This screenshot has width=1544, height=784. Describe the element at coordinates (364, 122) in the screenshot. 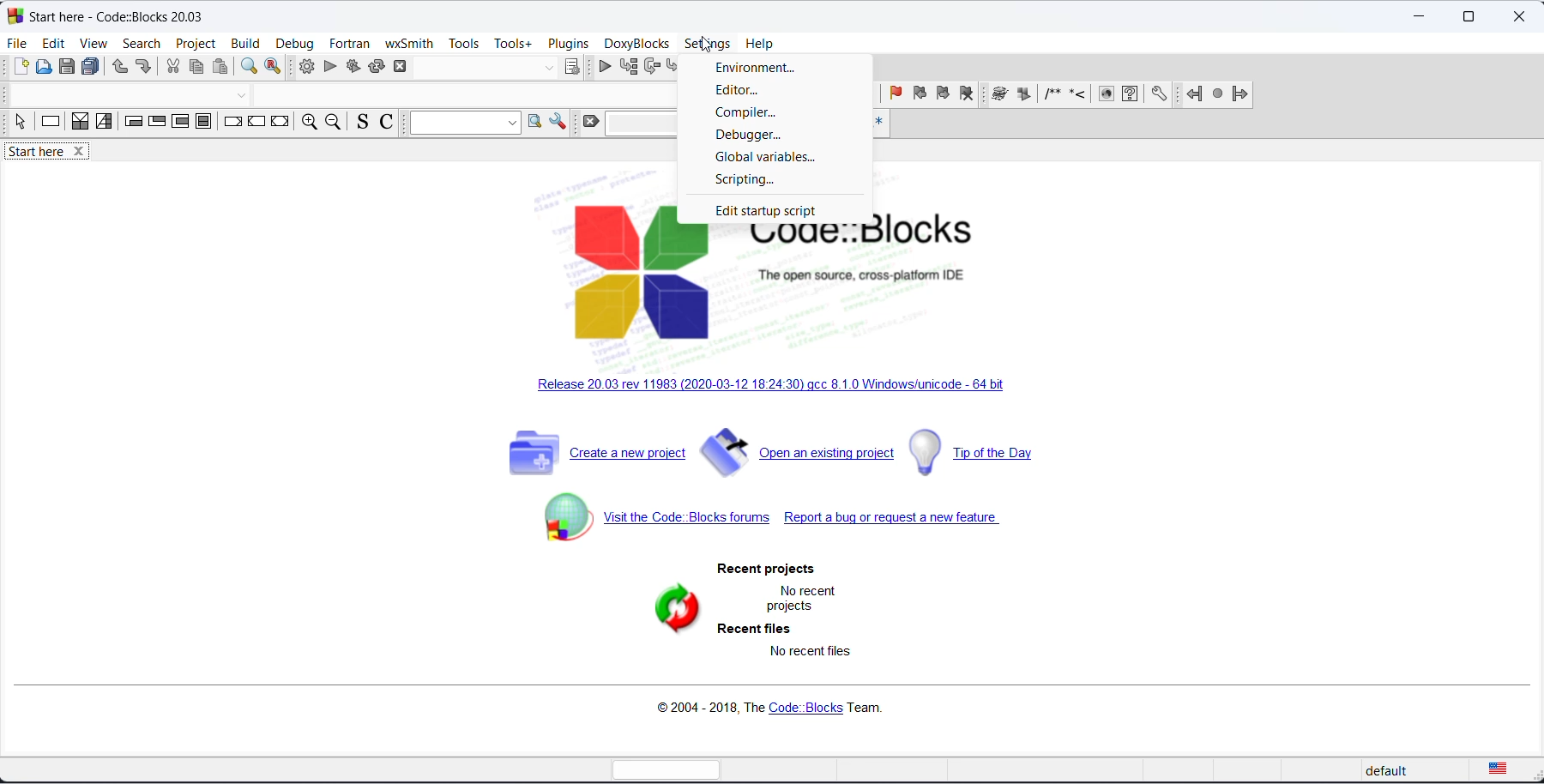

I see `toggle source` at that location.